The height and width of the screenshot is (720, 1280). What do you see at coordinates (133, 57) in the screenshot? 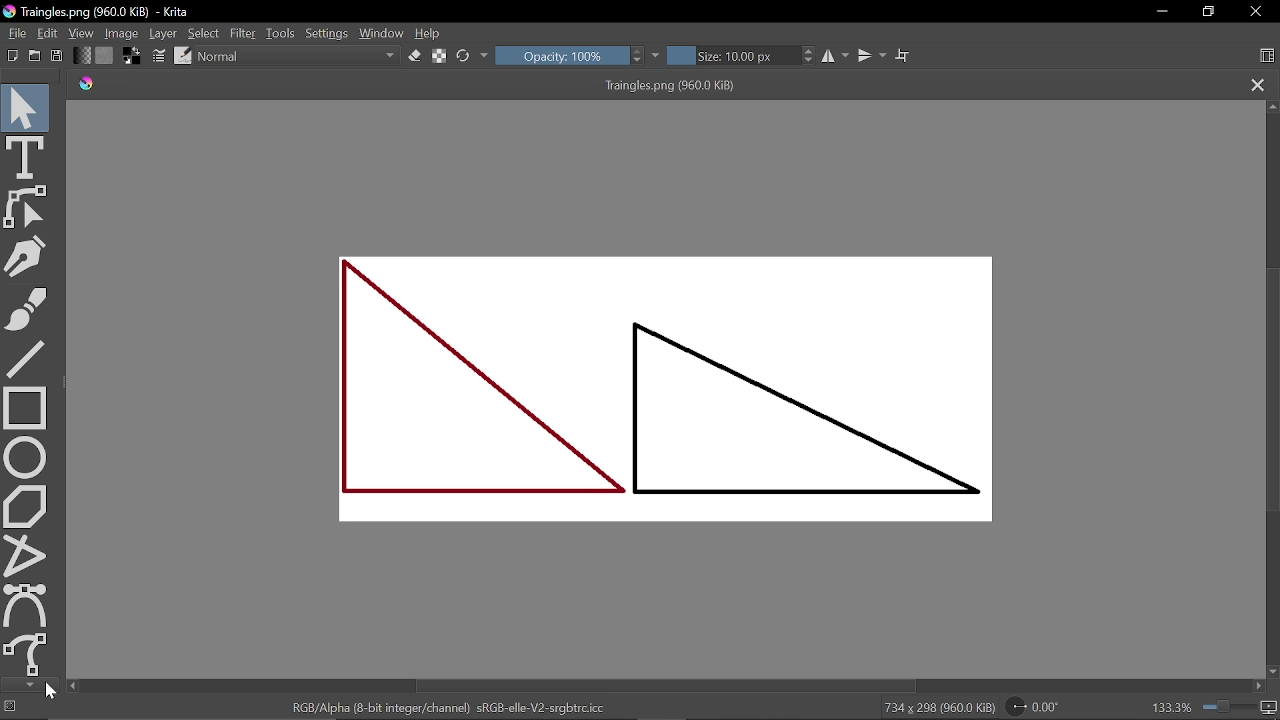
I see `Foreground and background color` at bounding box center [133, 57].